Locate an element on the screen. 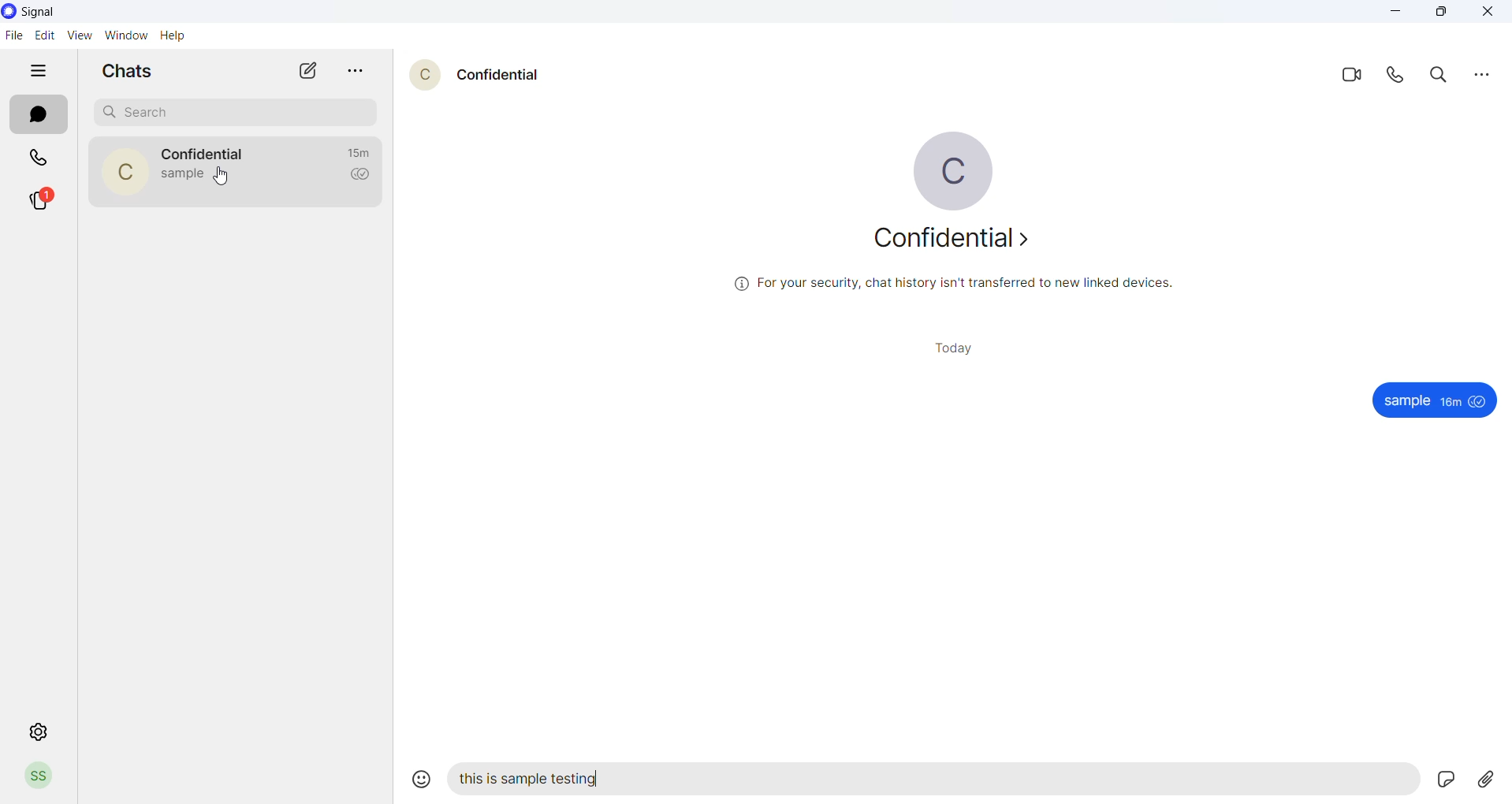  send attachment is located at coordinates (1486, 779).